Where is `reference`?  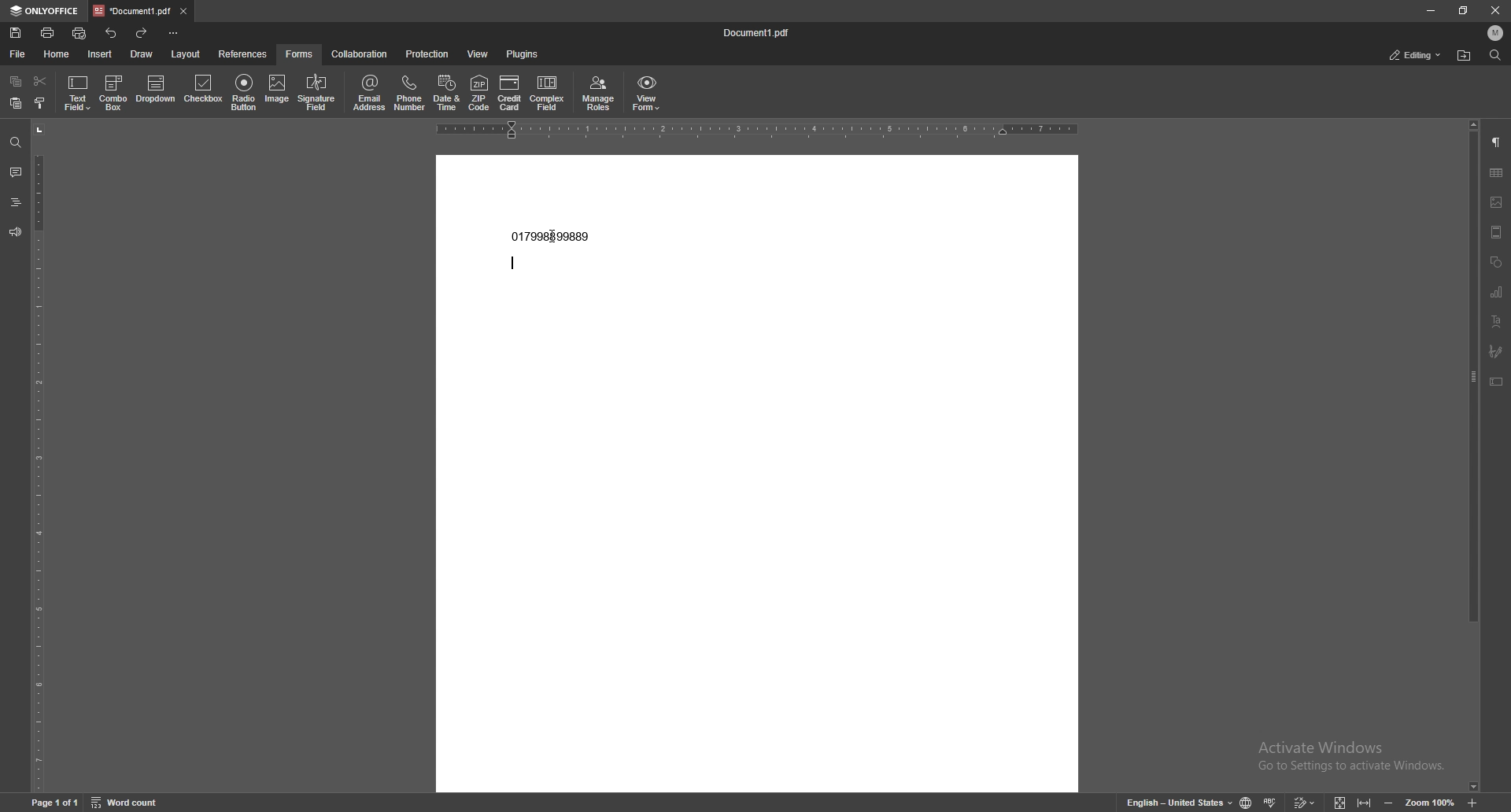
reference is located at coordinates (242, 55).